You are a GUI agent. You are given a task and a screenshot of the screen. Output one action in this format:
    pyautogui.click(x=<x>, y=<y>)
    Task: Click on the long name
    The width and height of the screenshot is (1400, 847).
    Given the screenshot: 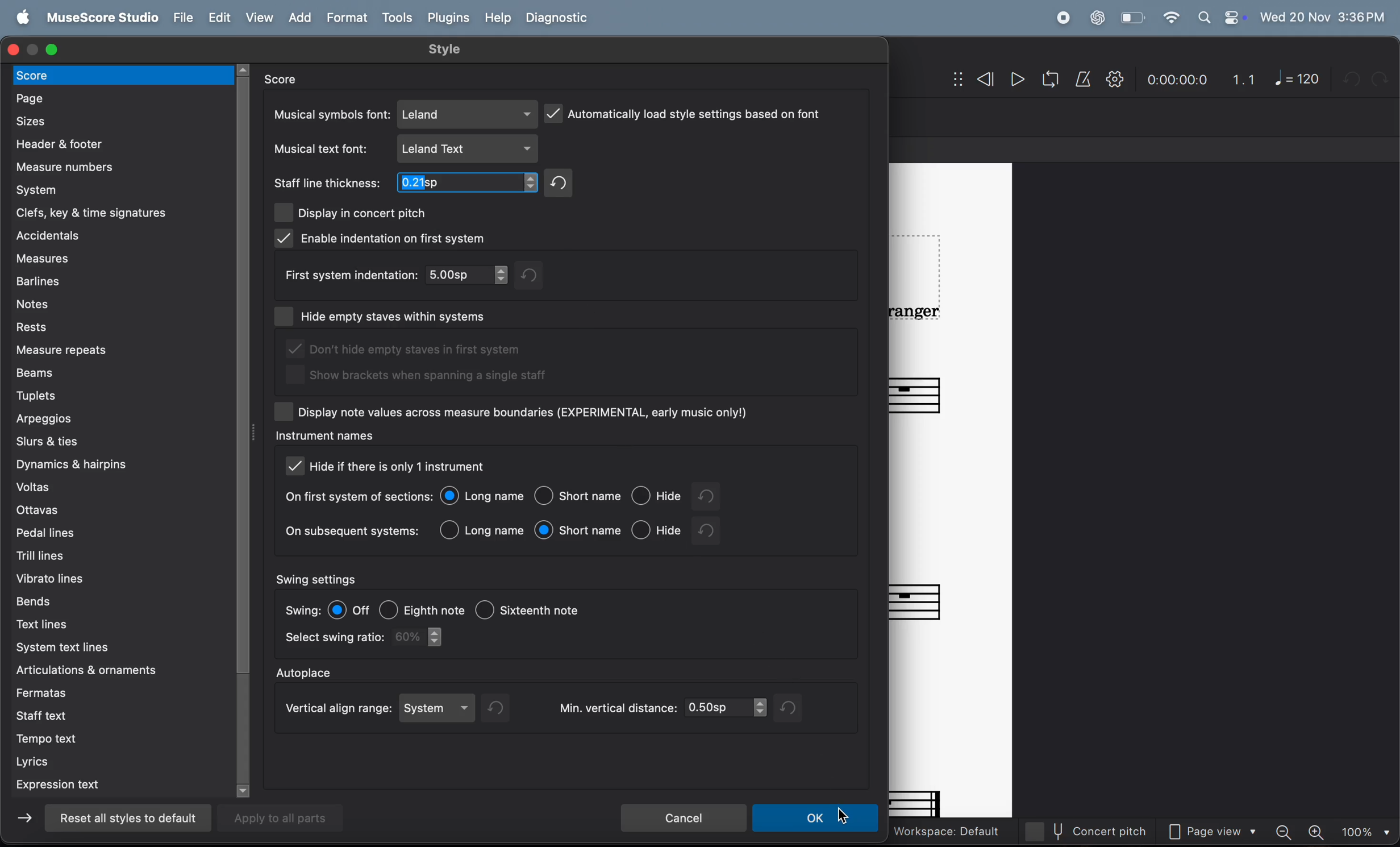 What is the action you would take?
    pyautogui.click(x=484, y=496)
    